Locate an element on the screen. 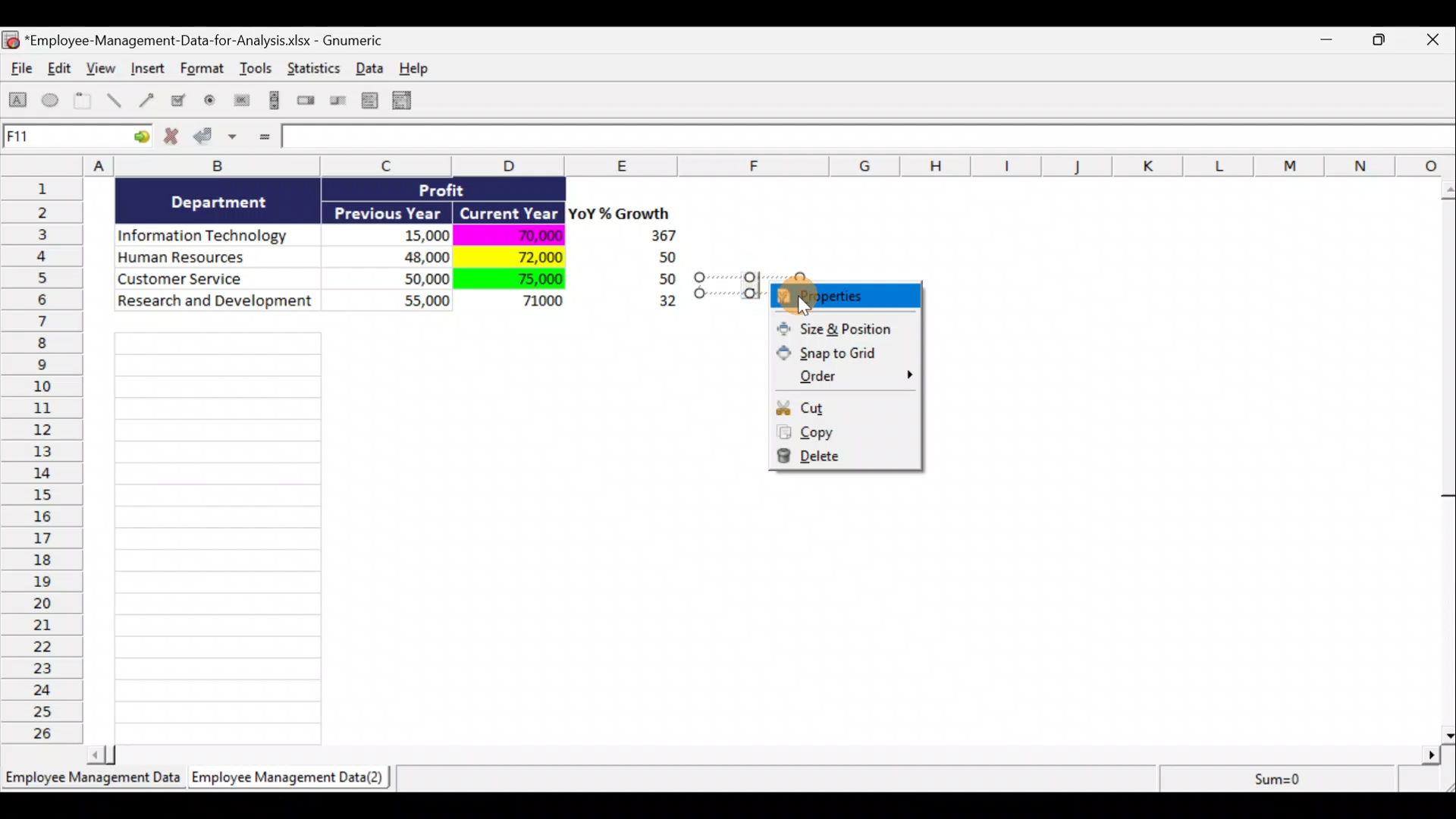  Sheet 2 is located at coordinates (292, 781).